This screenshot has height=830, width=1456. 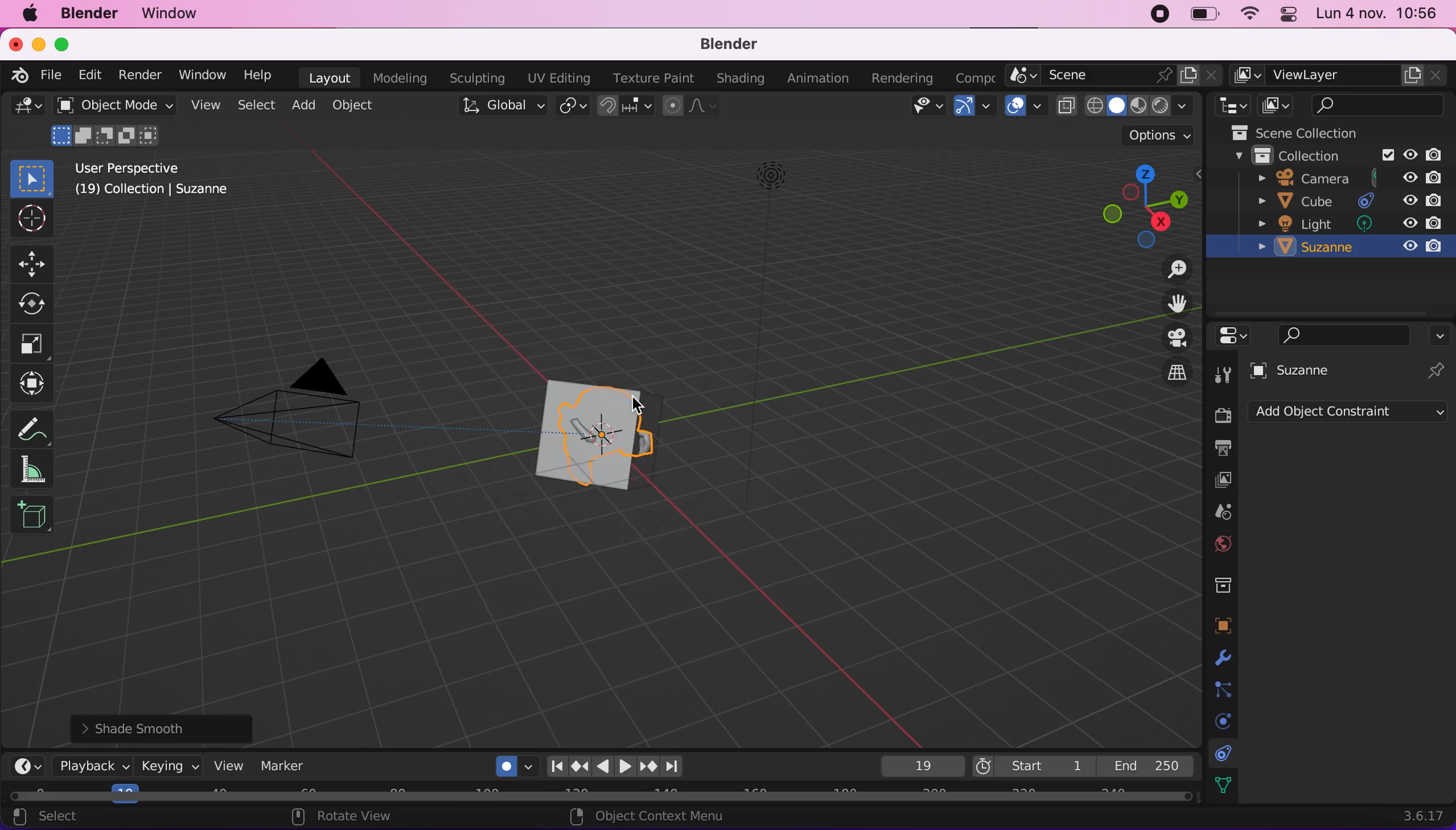 What do you see at coordinates (1039, 108) in the screenshot?
I see `overlays` at bounding box center [1039, 108].